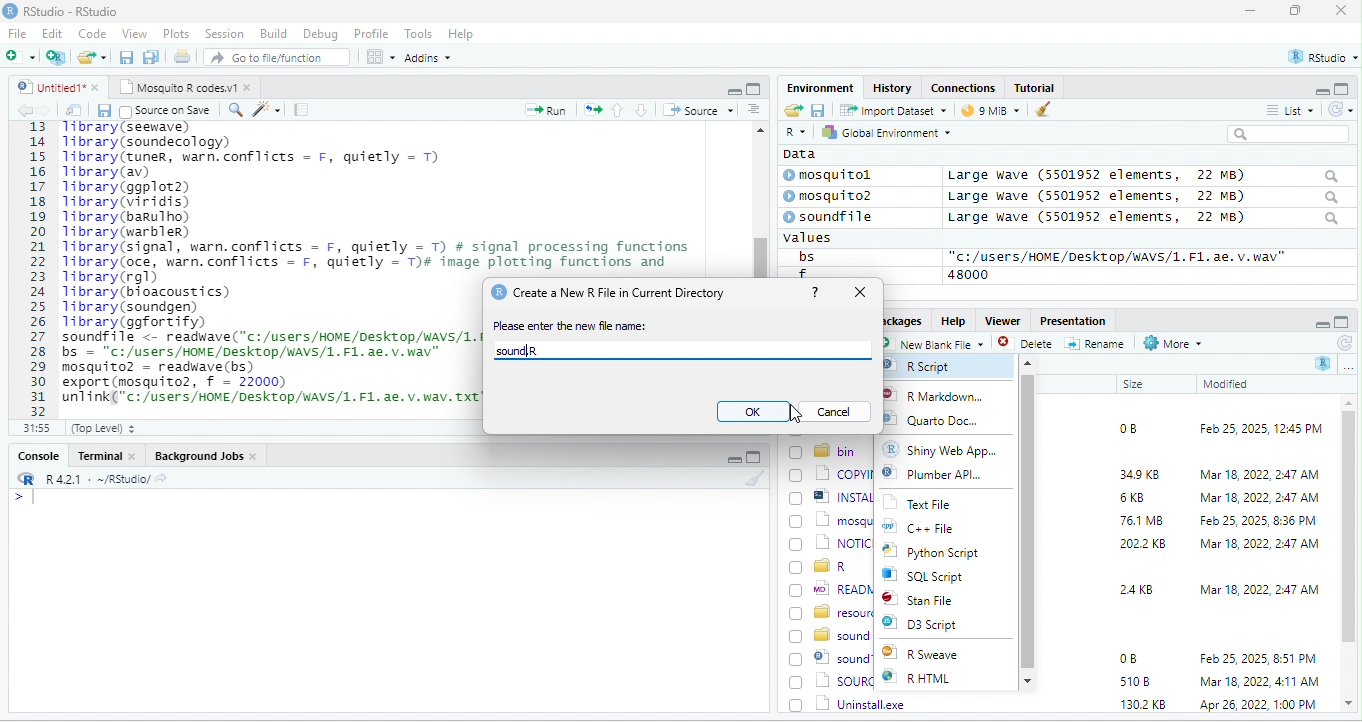  Describe the element at coordinates (834, 496) in the screenshot. I see `| @] INSTALL` at that location.